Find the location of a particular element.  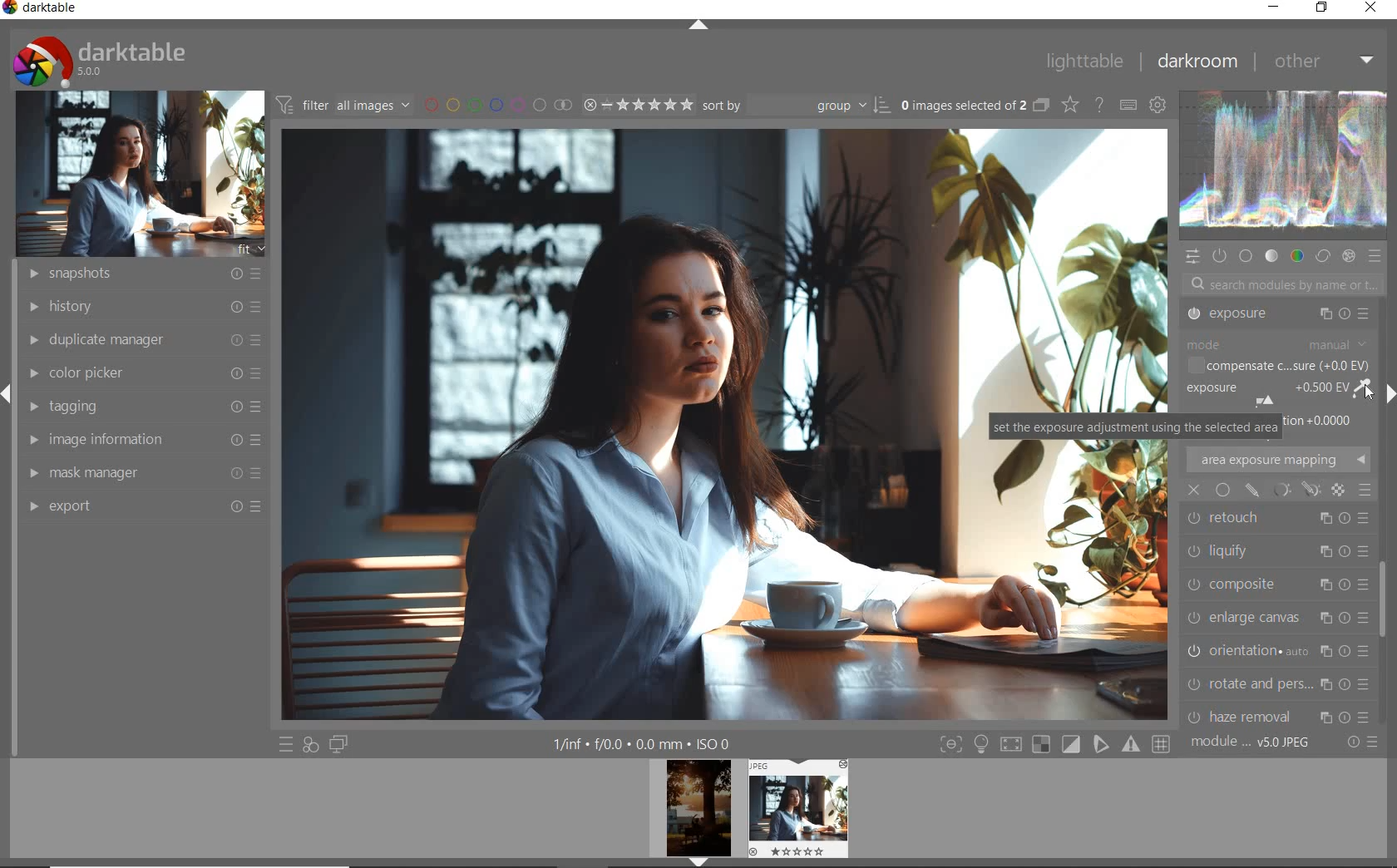

mode is located at coordinates (1276, 346).